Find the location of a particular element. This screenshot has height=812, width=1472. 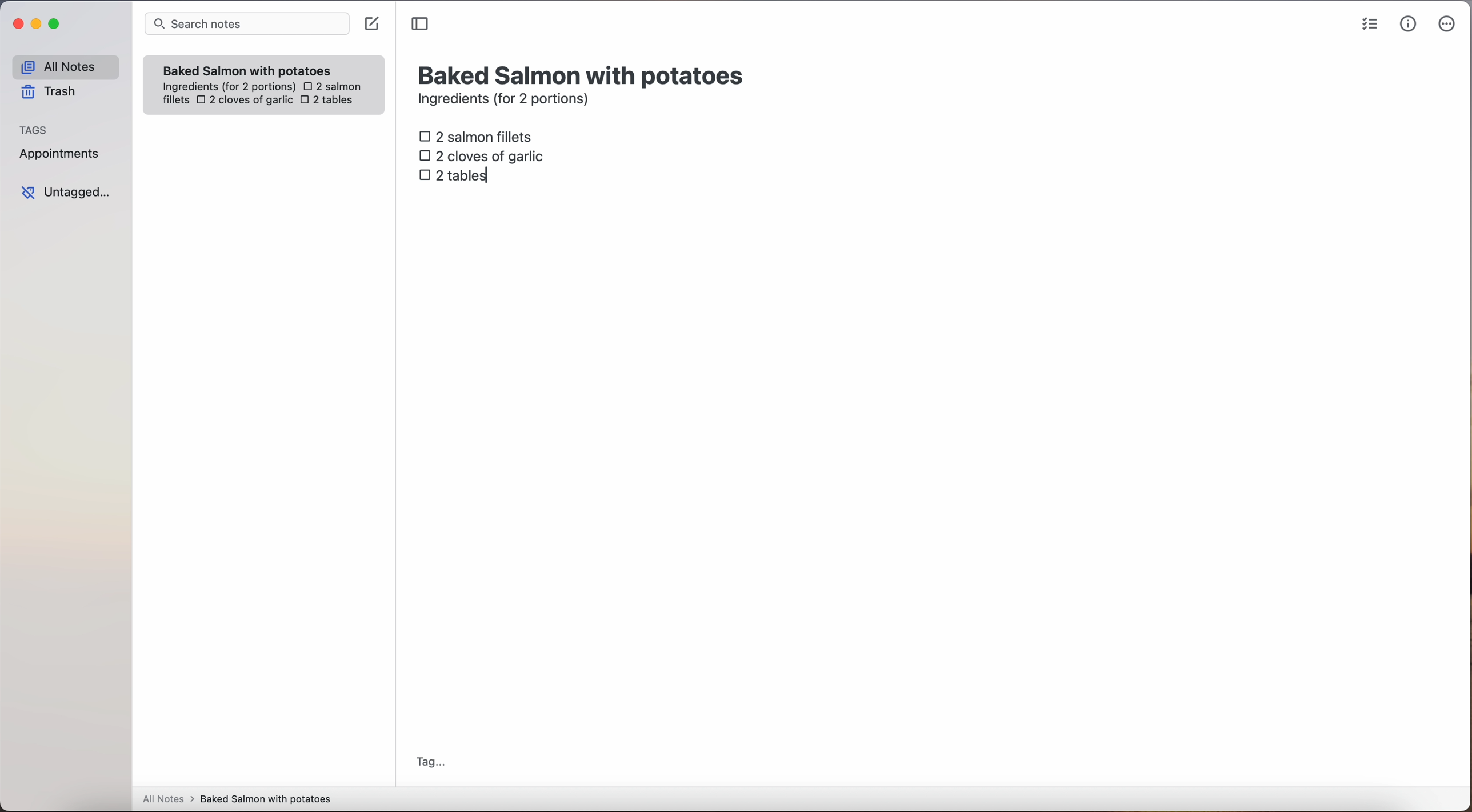

close Simplenote is located at coordinates (17, 25).